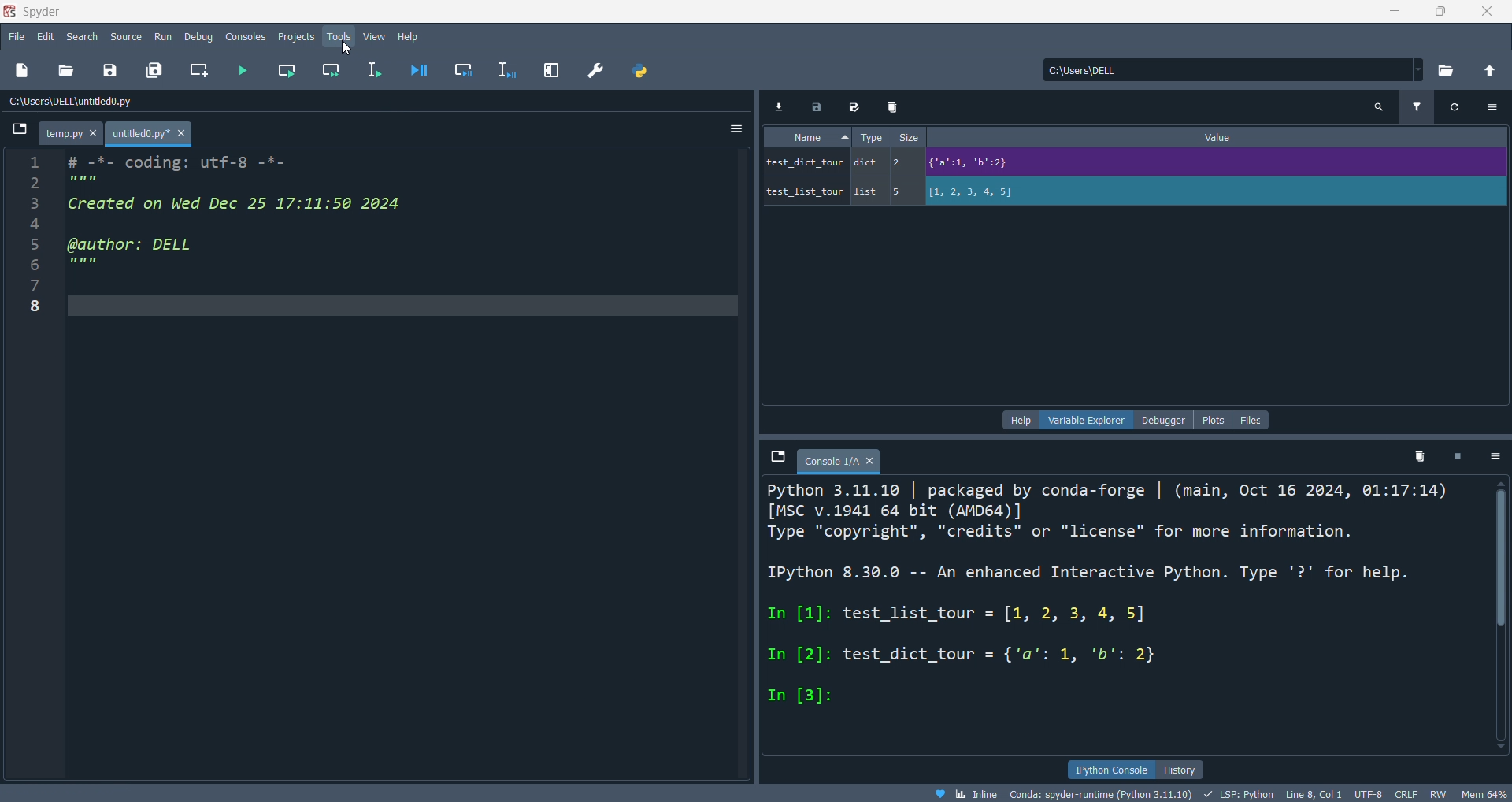 This screenshot has height=802, width=1512. What do you see at coordinates (843, 462) in the screenshot?
I see `Console 1/A` at bounding box center [843, 462].